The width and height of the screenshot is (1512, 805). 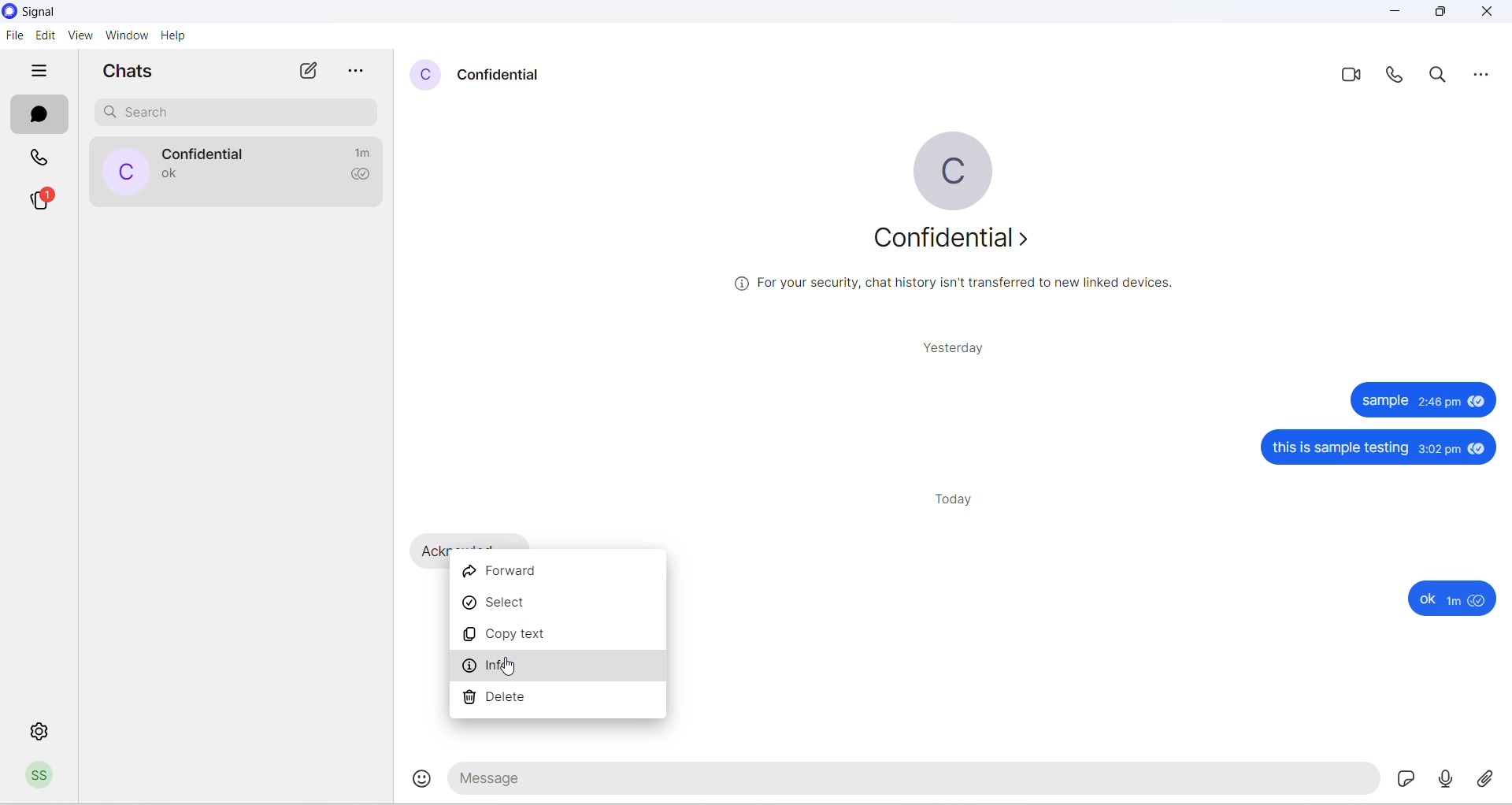 What do you see at coordinates (1393, 13) in the screenshot?
I see `minimize` at bounding box center [1393, 13].